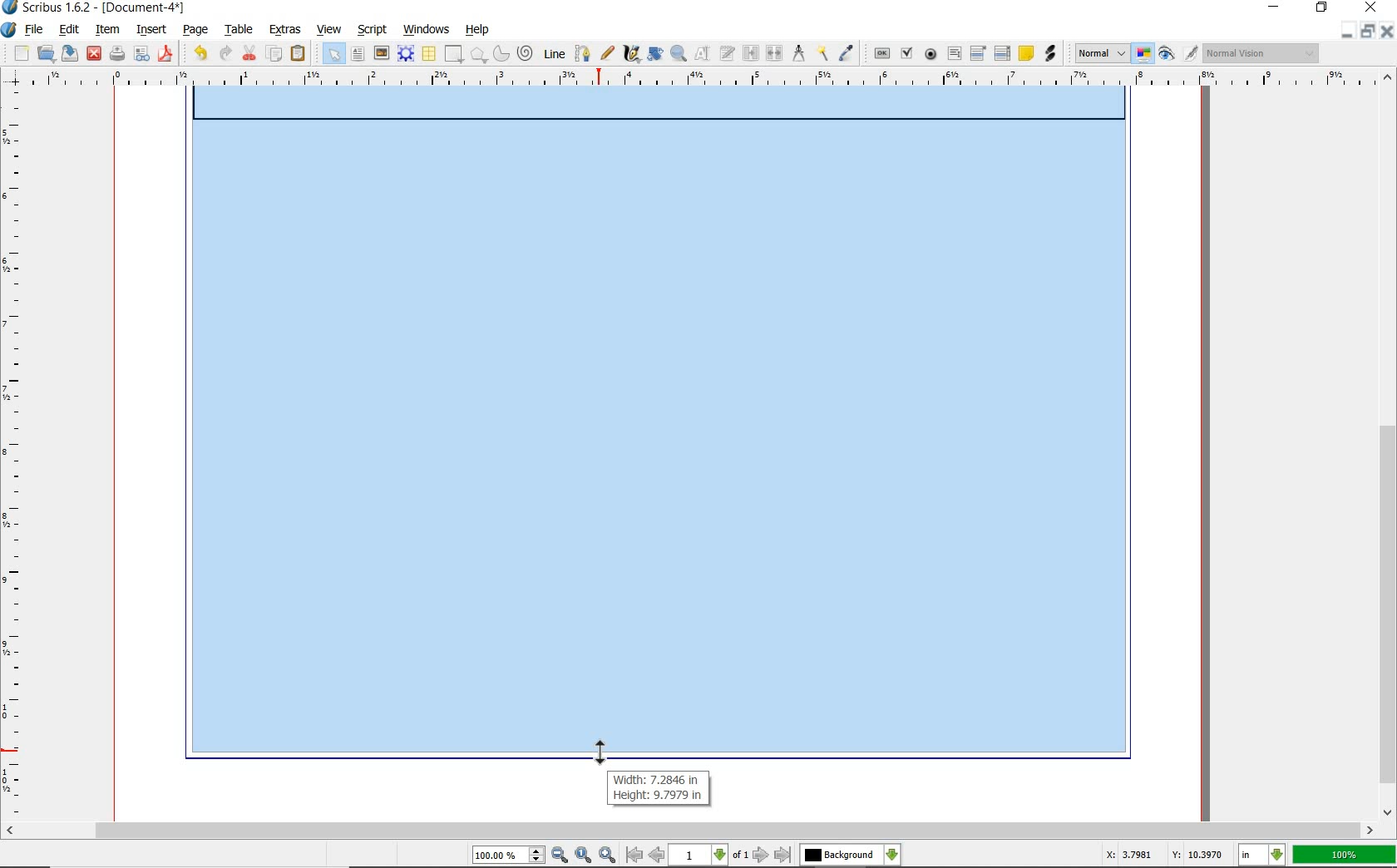 The height and width of the screenshot is (868, 1397). What do you see at coordinates (47, 54) in the screenshot?
I see `open` at bounding box center [47, 54].